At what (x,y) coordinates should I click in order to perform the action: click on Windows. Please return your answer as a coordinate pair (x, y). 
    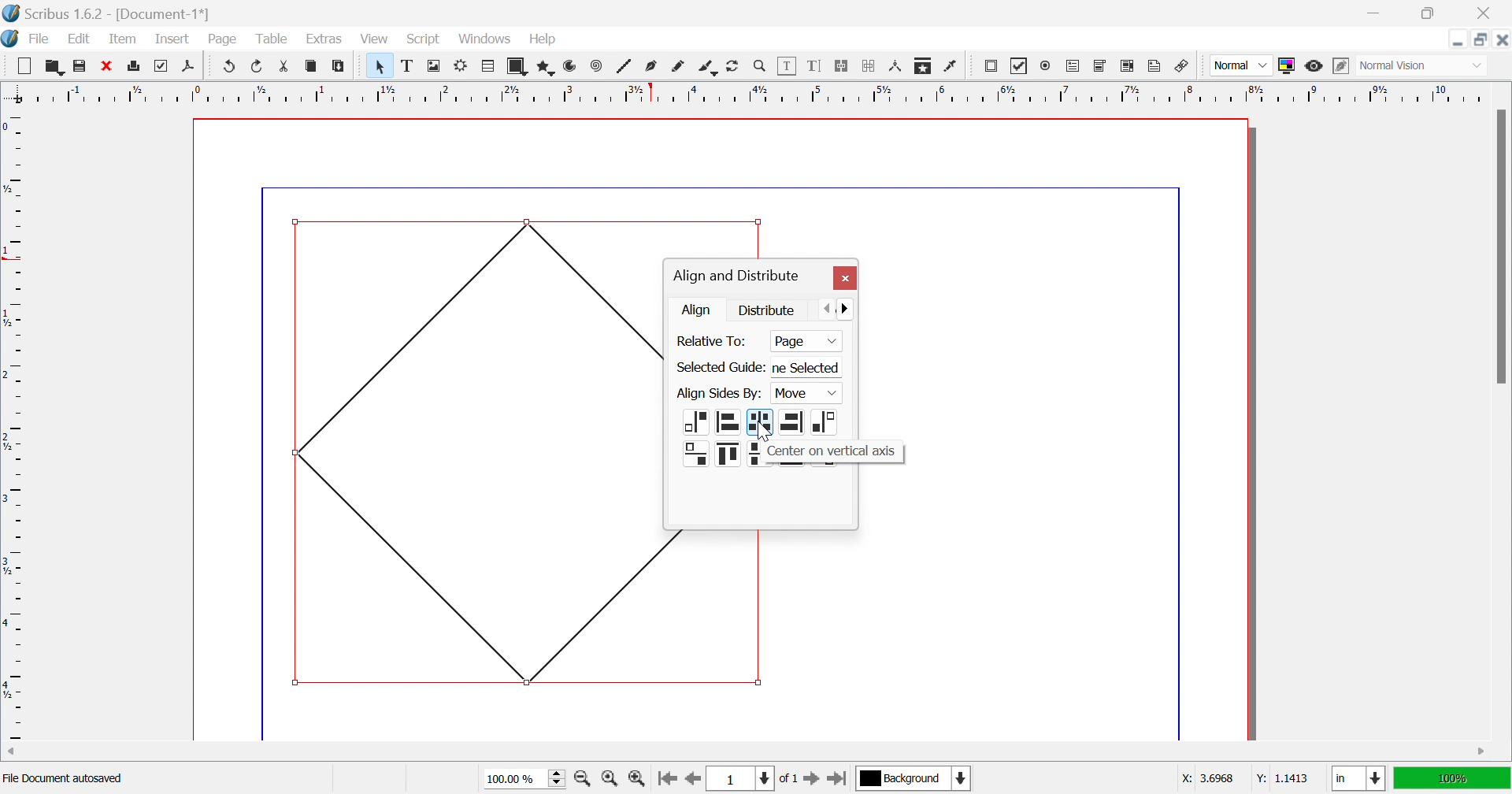
    Looking at the image, I should click on (487, 39).